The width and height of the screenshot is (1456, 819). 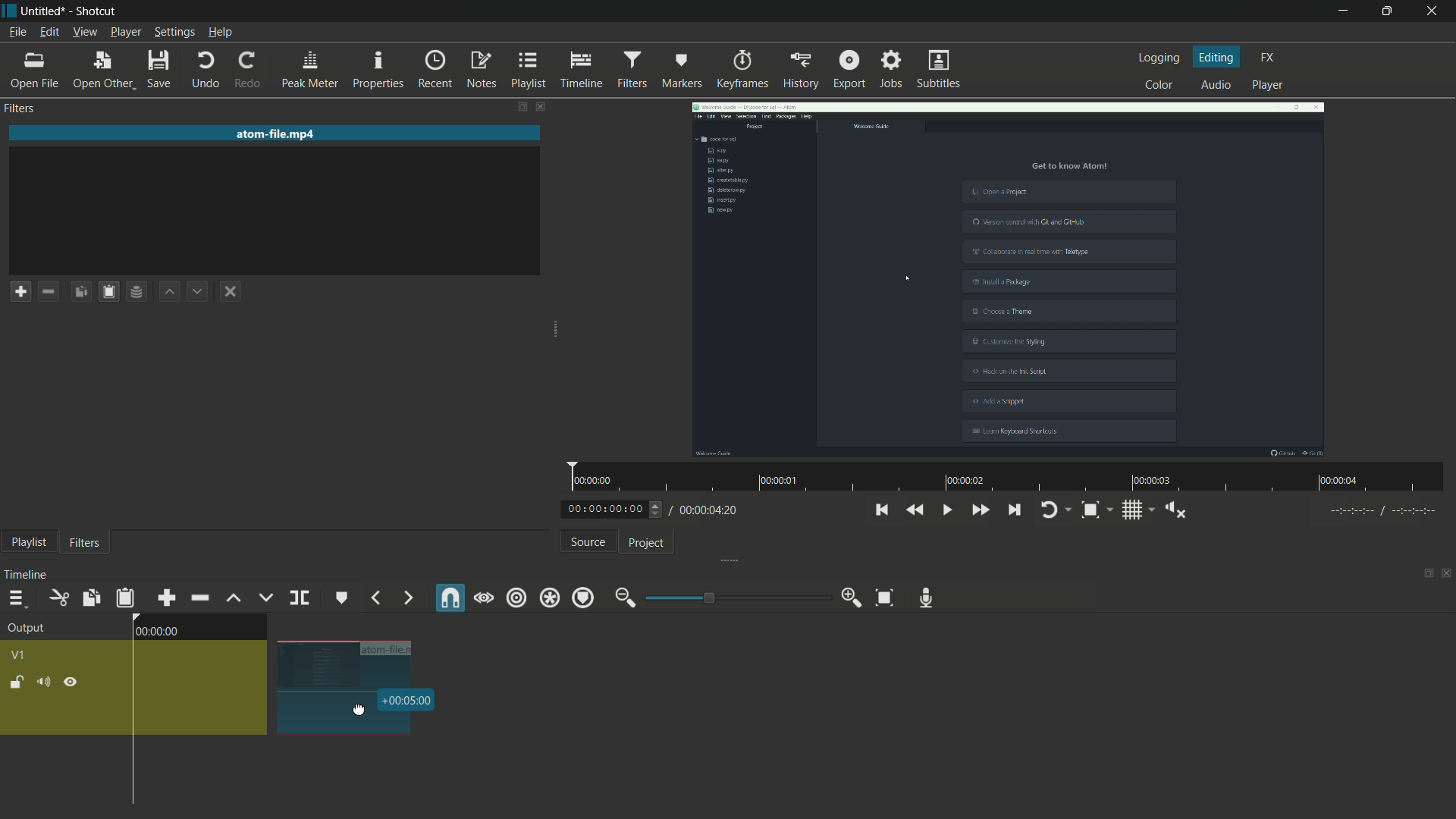 I want to click on quickly play forward, so click(x=980, y=508).